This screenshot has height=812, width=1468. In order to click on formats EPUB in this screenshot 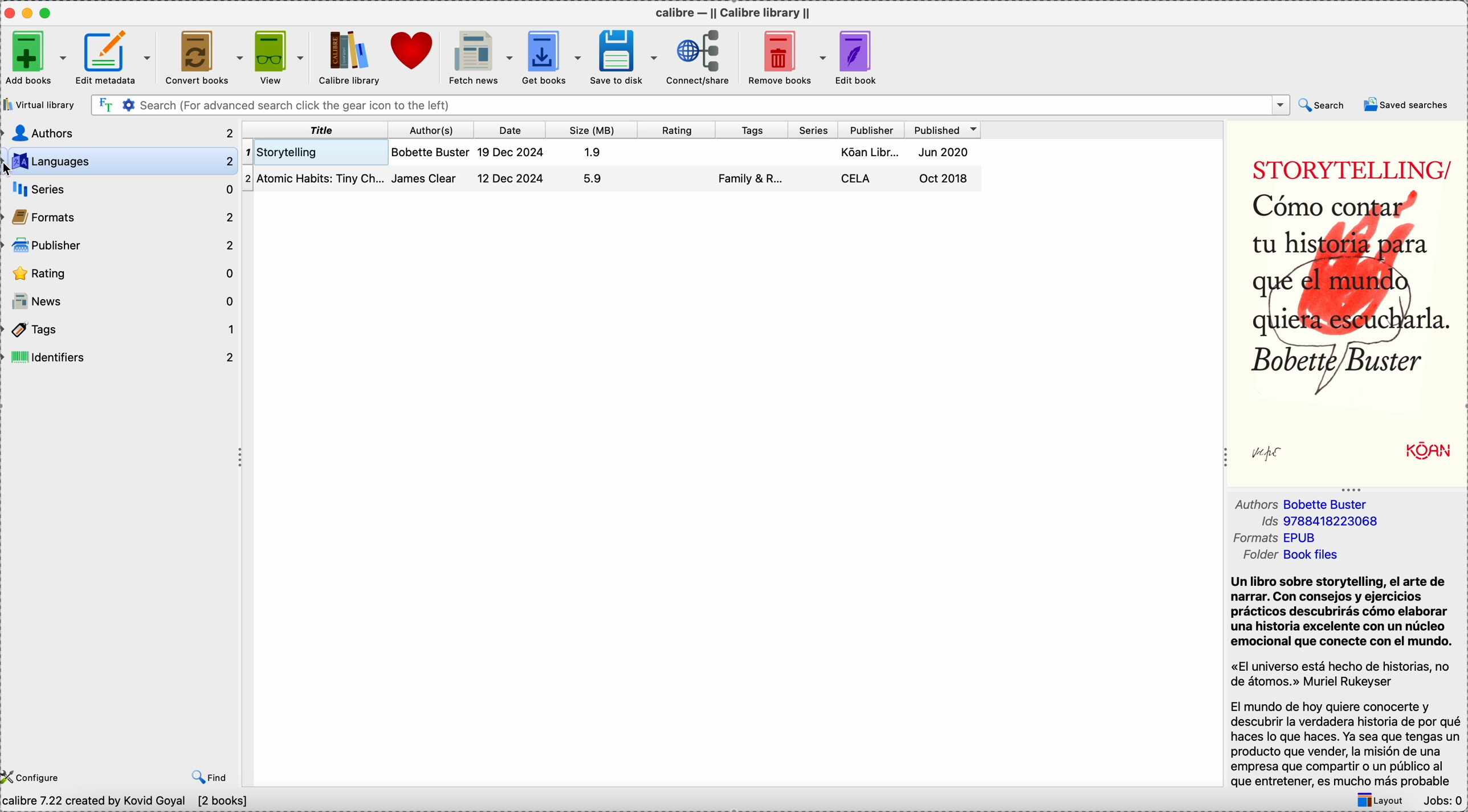, I will do `click(1276, 537)`.